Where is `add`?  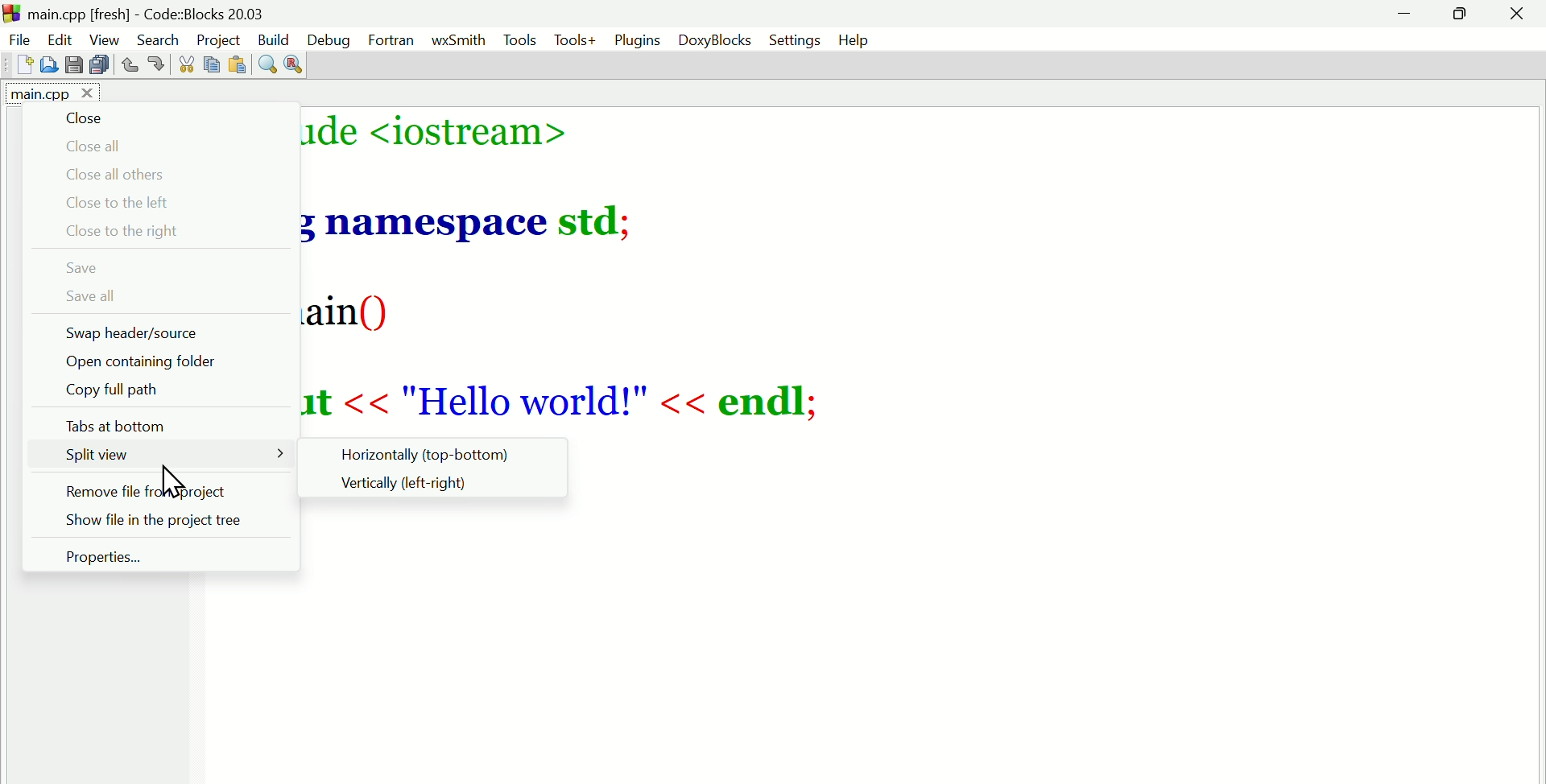
add is located at coordinates (24, 65).